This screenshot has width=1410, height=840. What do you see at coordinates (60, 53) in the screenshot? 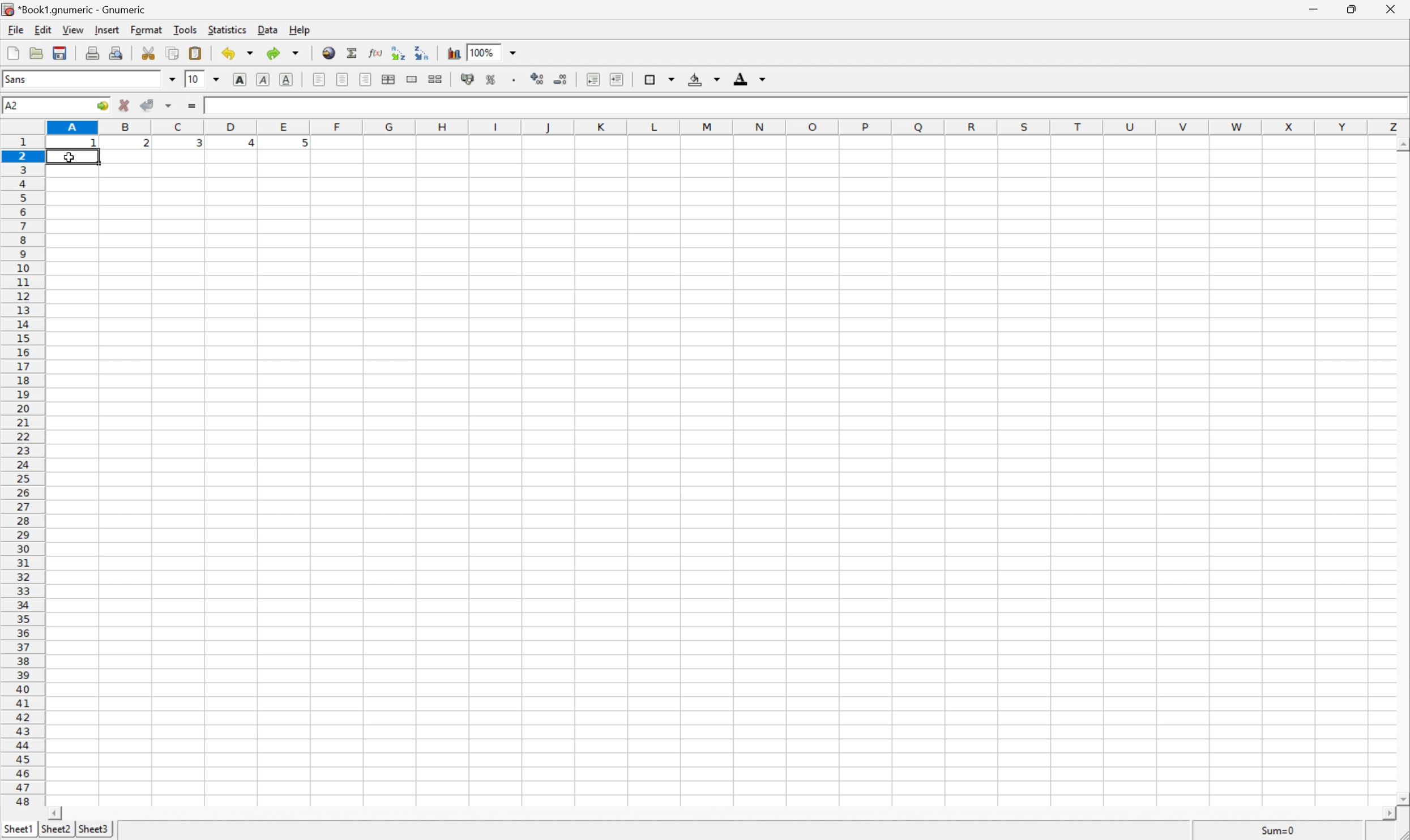
I see `save current workbook` at bounding box center [60, 53].